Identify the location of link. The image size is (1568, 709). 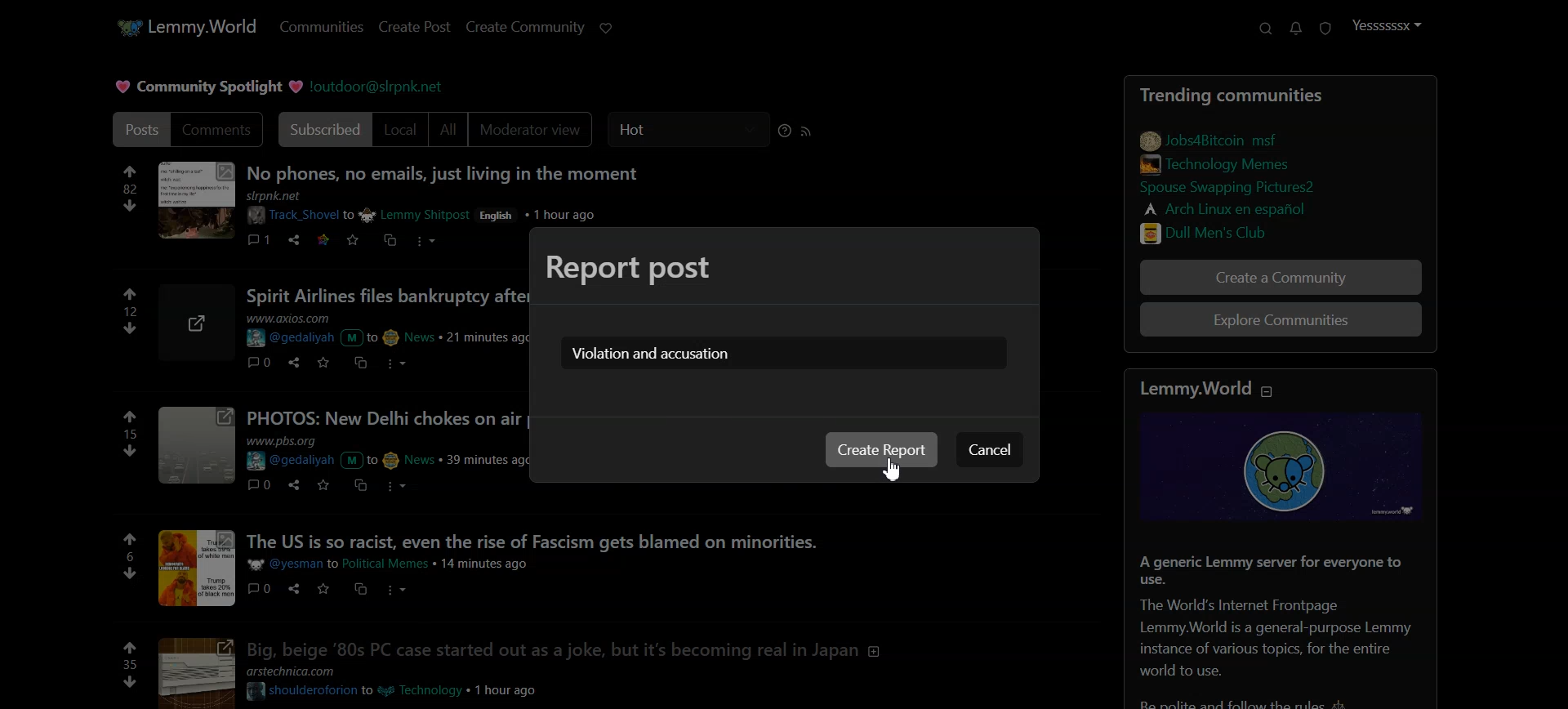
(1211, 138).